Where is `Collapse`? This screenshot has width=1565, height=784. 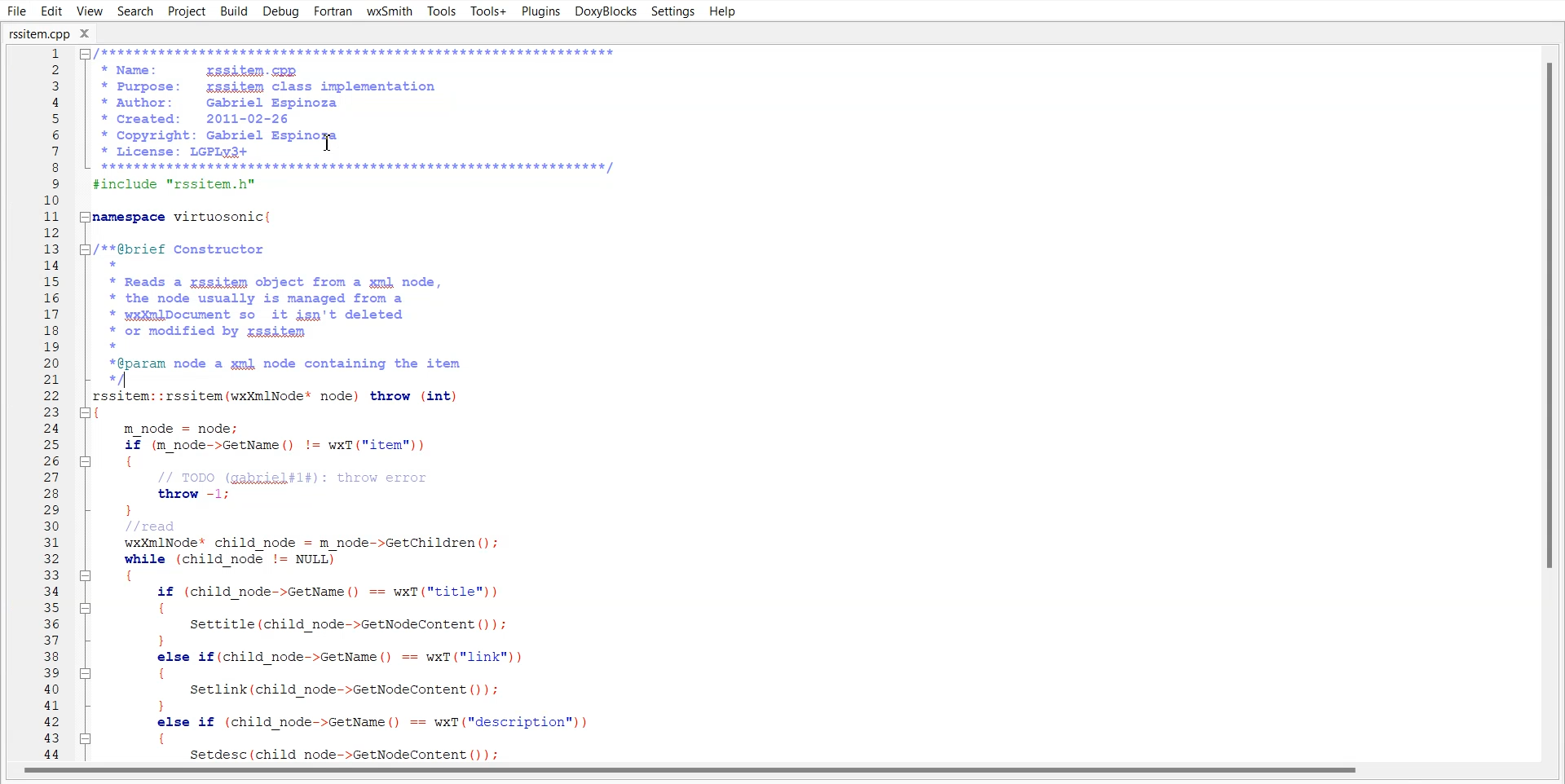 Collapse is located at coordinates (85, 54).